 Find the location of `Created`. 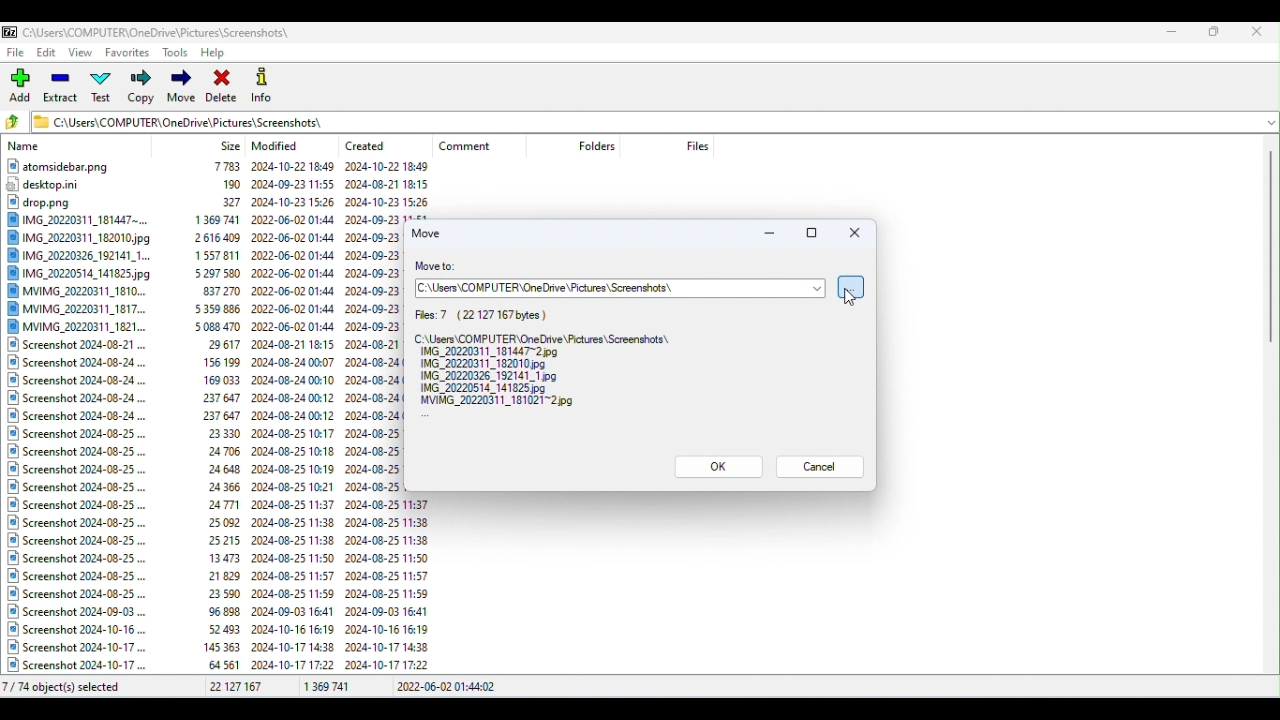

Created is located at coordinates (372, 142).